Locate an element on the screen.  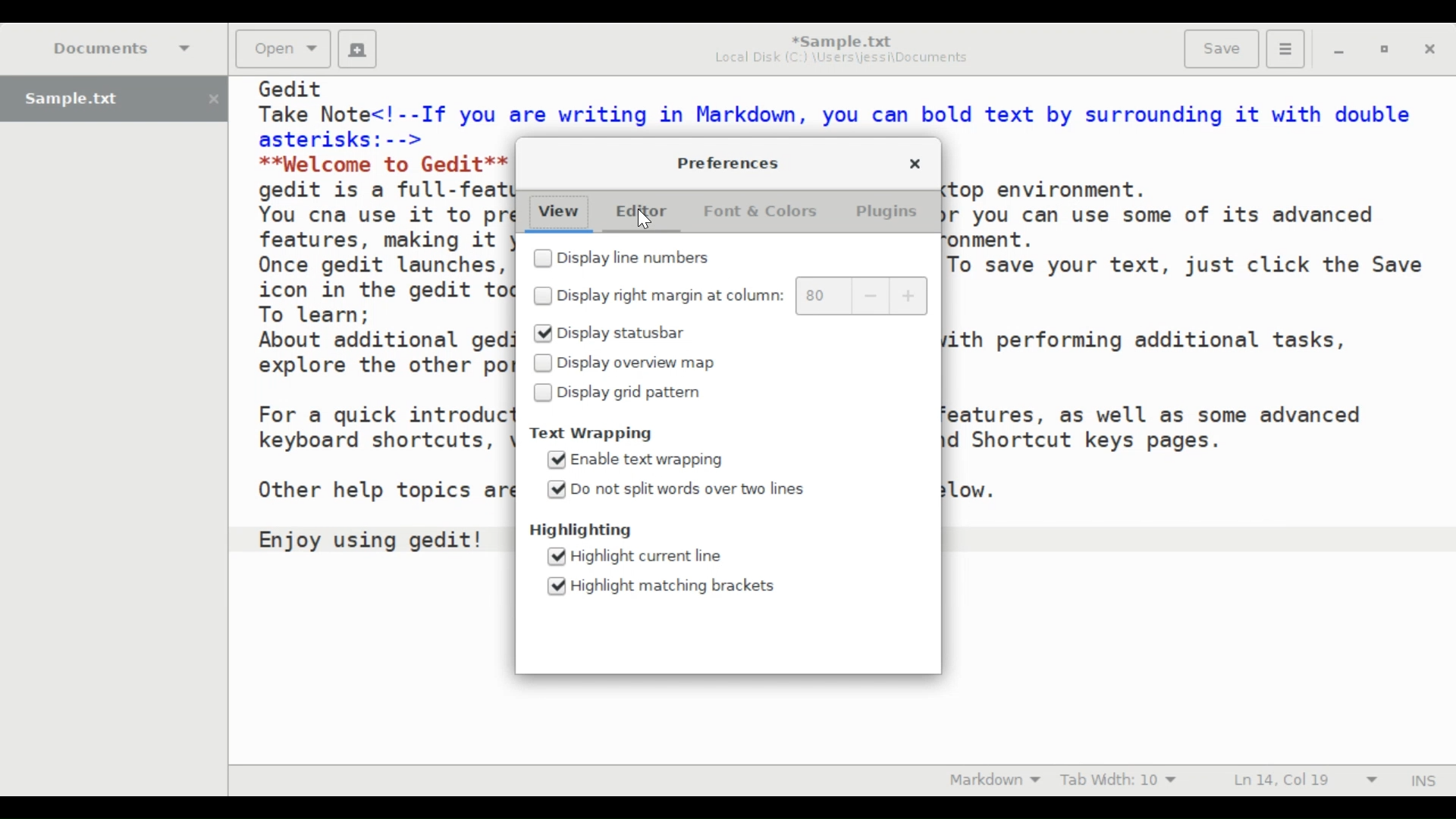
Create a new Document is located at coordinates (357, 49).